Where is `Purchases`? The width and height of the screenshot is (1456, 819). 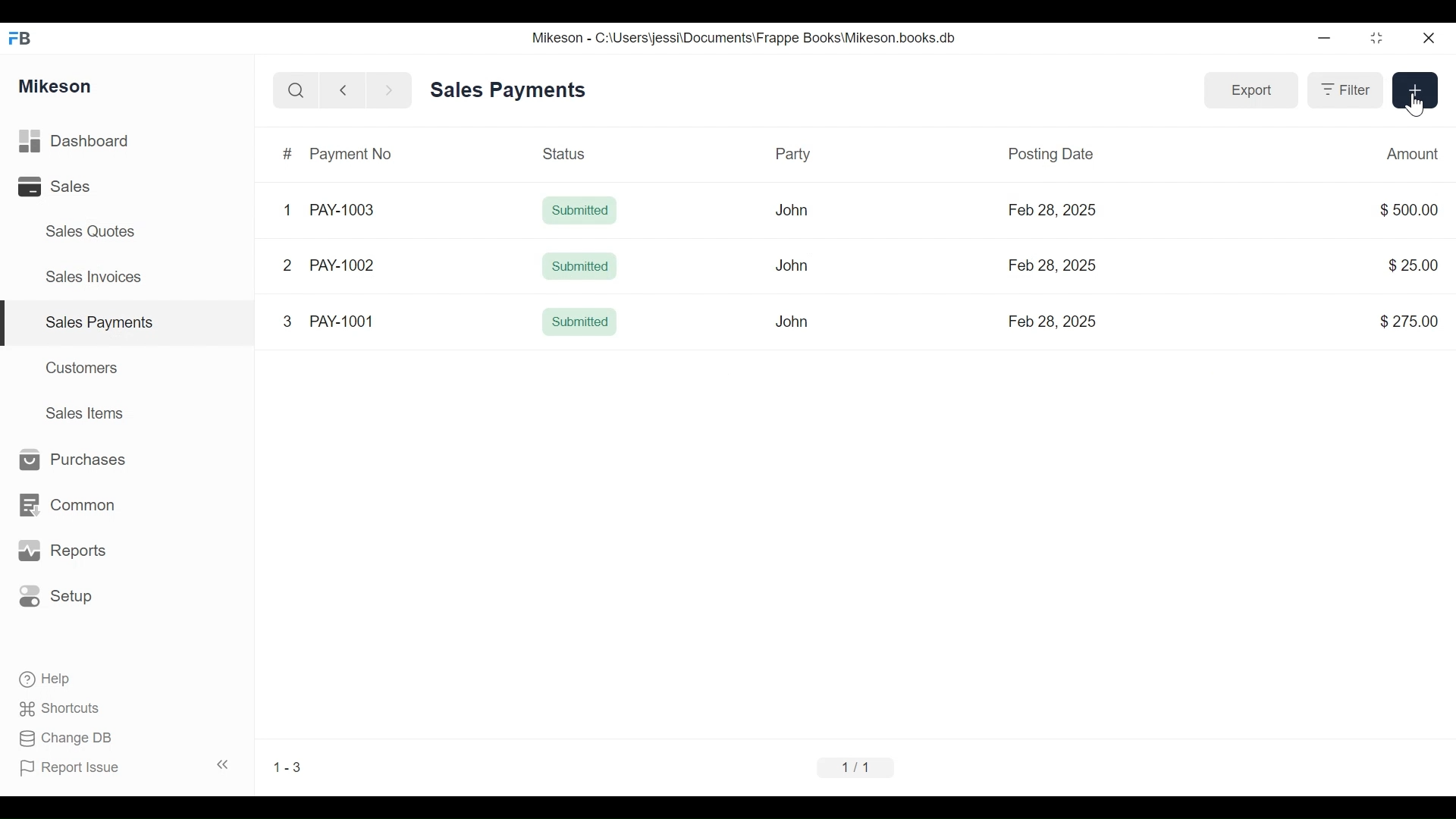 Purchases is located at coordinates (72, 460).